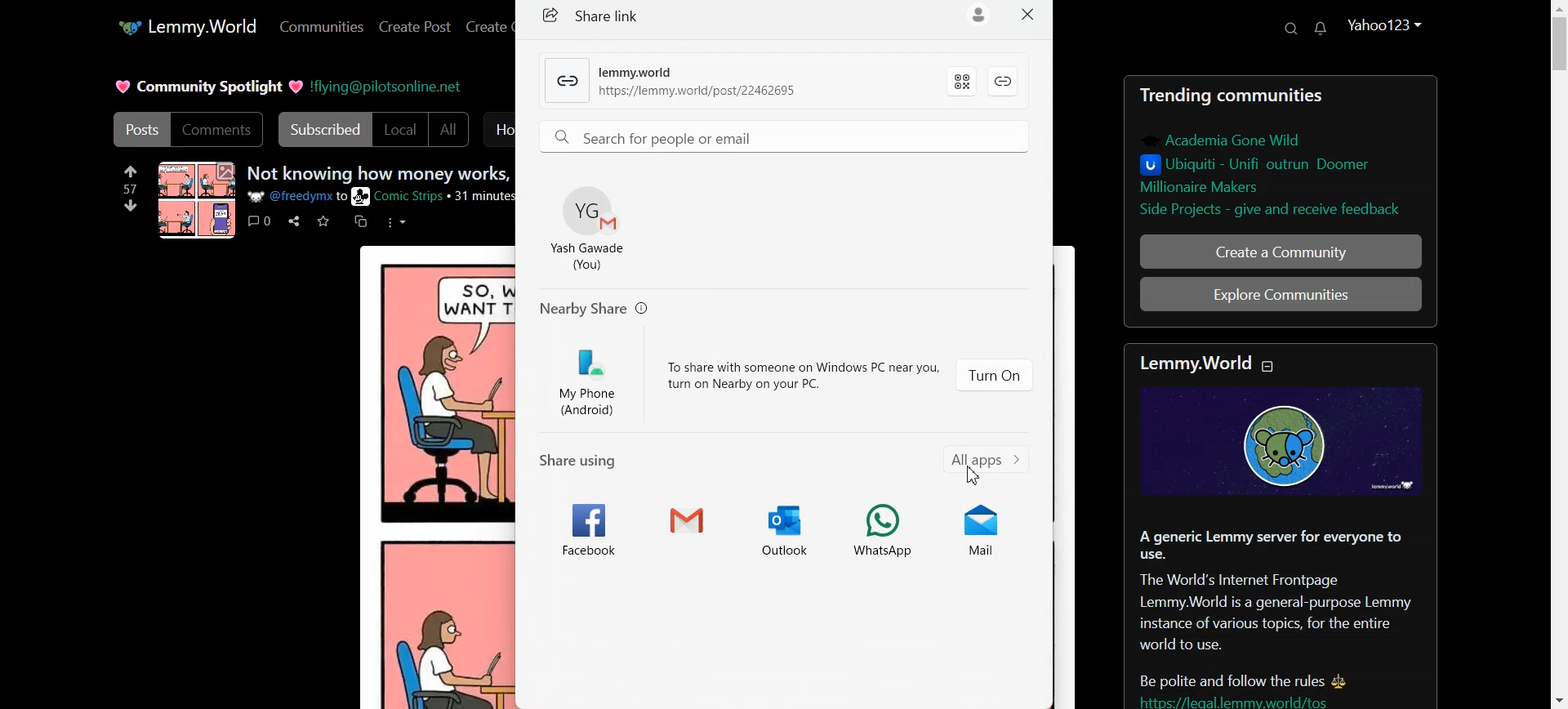 This screenshot has width=1568, height=709. Describe the element at coordinates (186, 28) in the screenshot. I see `Home Page` at that location.